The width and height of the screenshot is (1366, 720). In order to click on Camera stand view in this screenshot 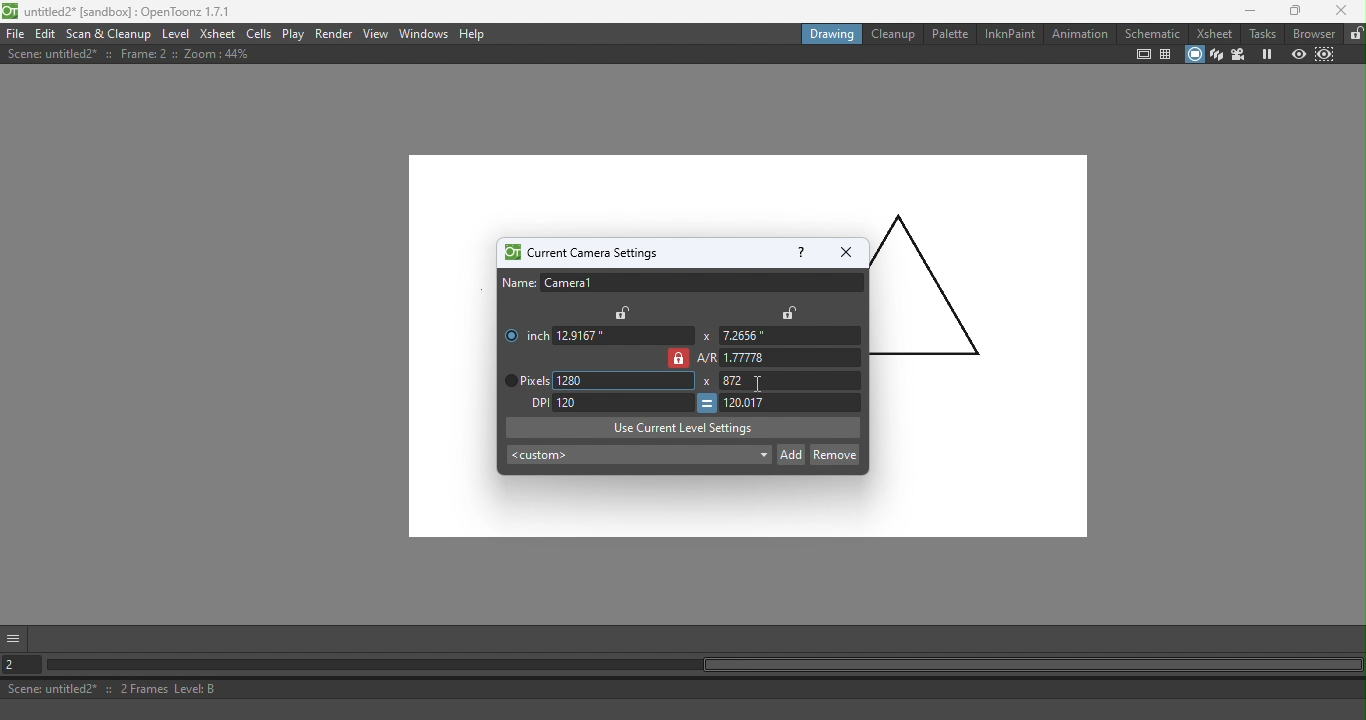, I will do `click(1193, 55)`.